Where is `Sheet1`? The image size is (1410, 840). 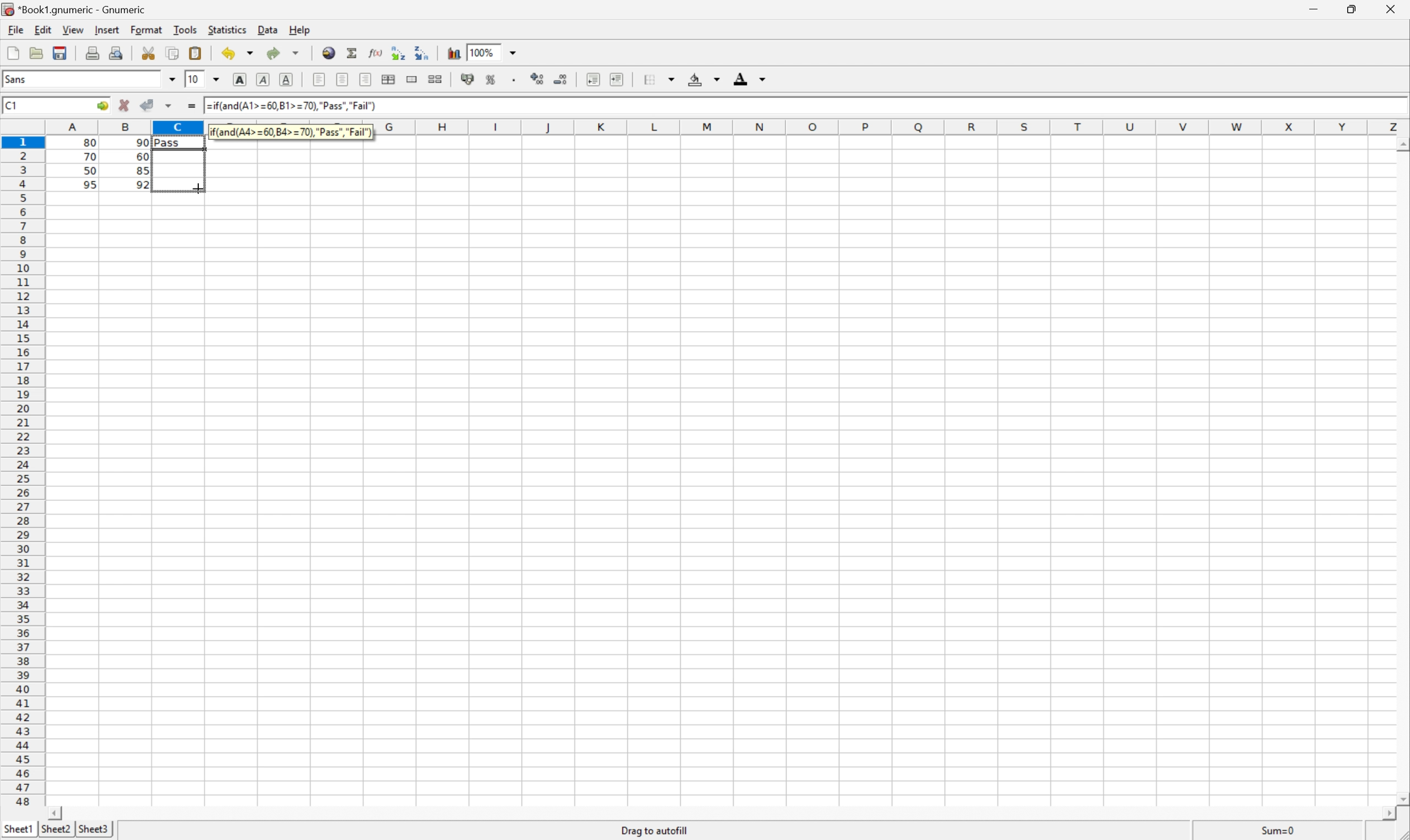 Sheet1 is located at coordinates (19, 828).